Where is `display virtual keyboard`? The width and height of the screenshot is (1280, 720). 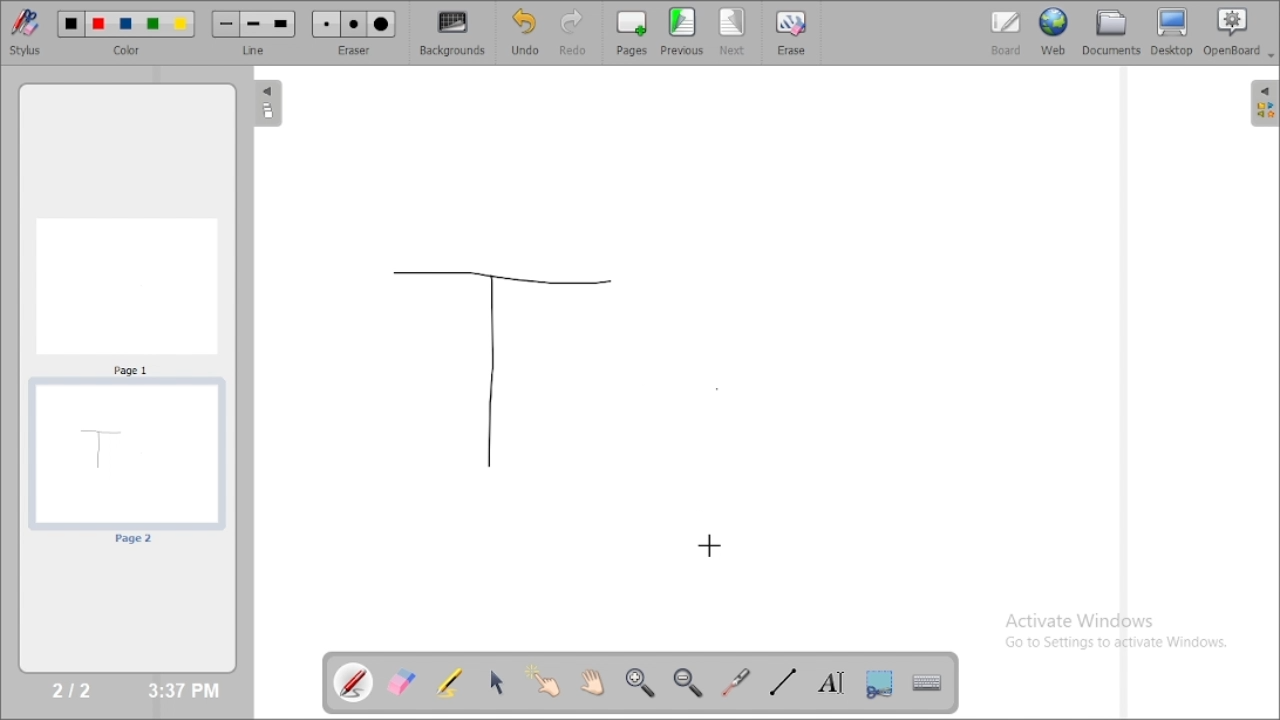 display virtual keyboard is located at coordinates (926, 682).